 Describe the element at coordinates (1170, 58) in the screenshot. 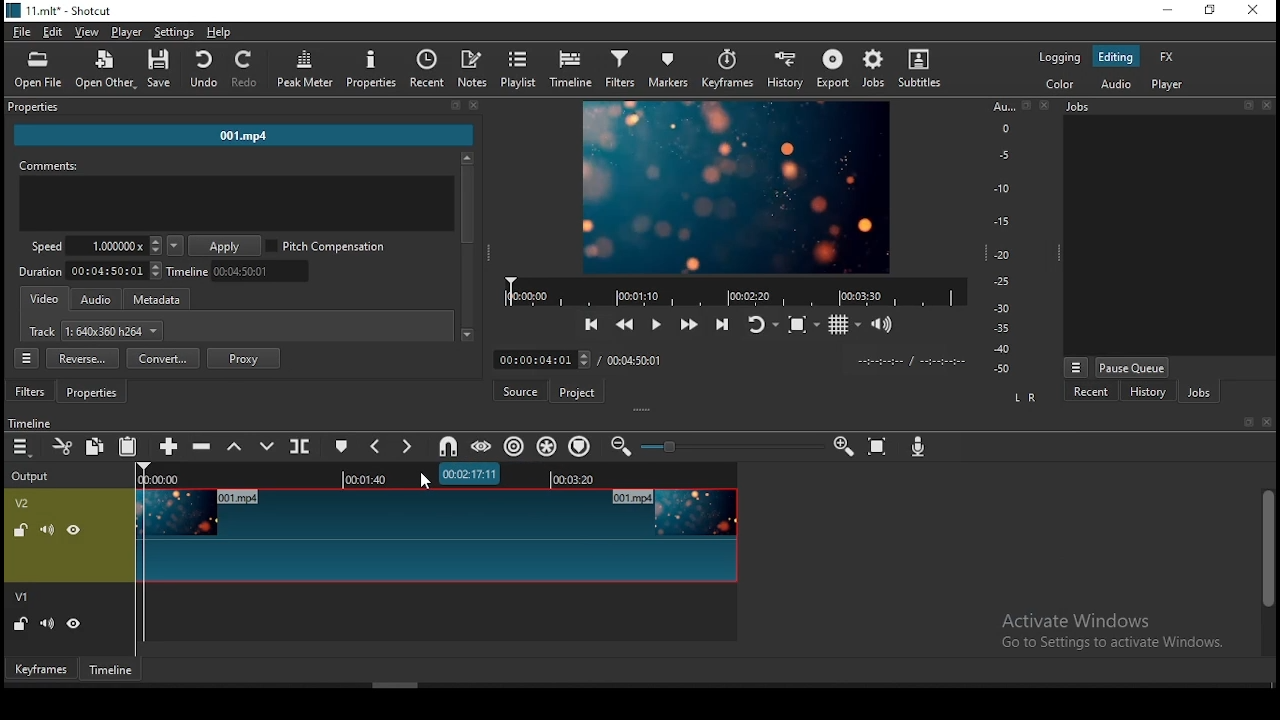

I see `fx` at that location.